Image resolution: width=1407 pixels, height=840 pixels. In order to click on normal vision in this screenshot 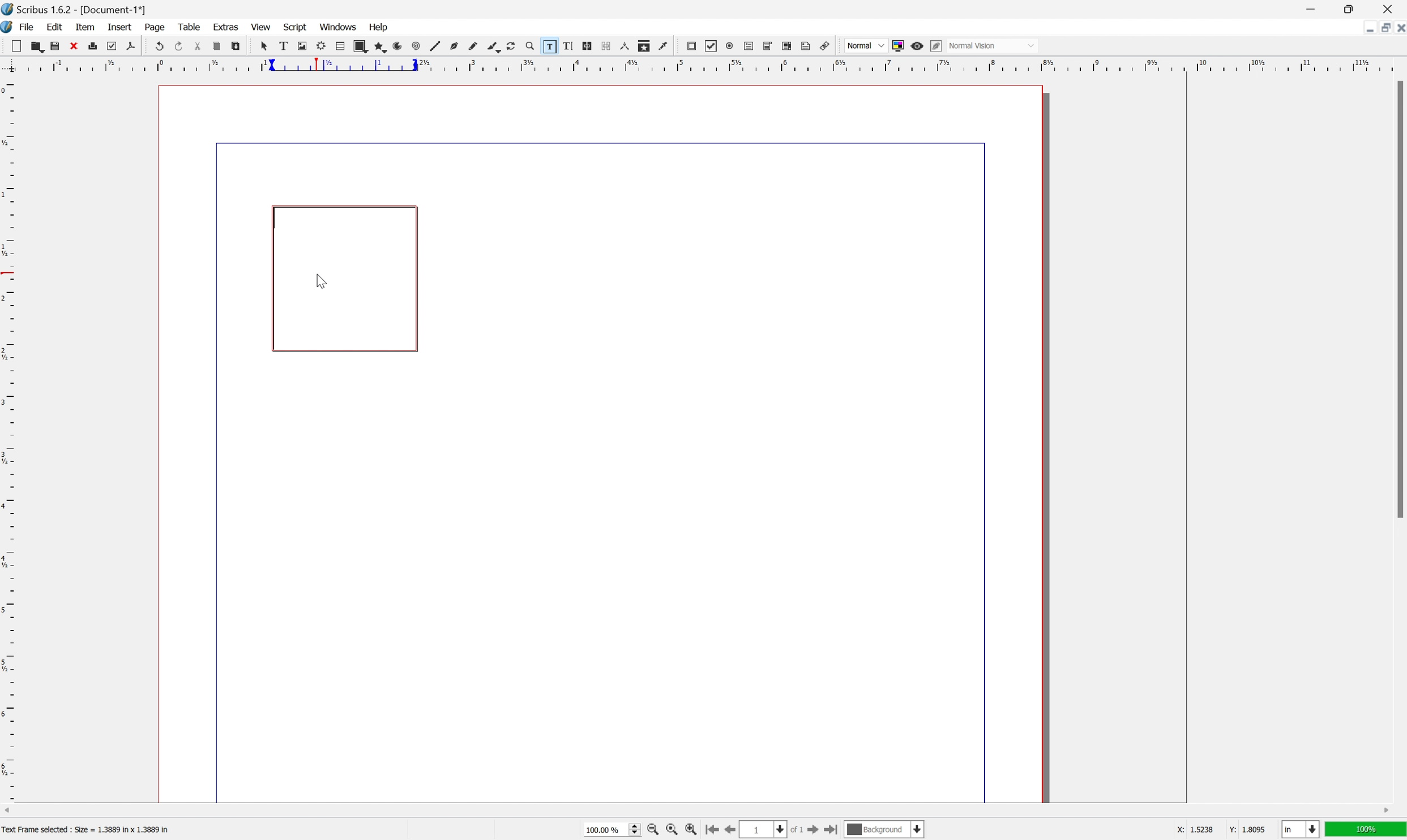, I will do `click(993, 45)`.